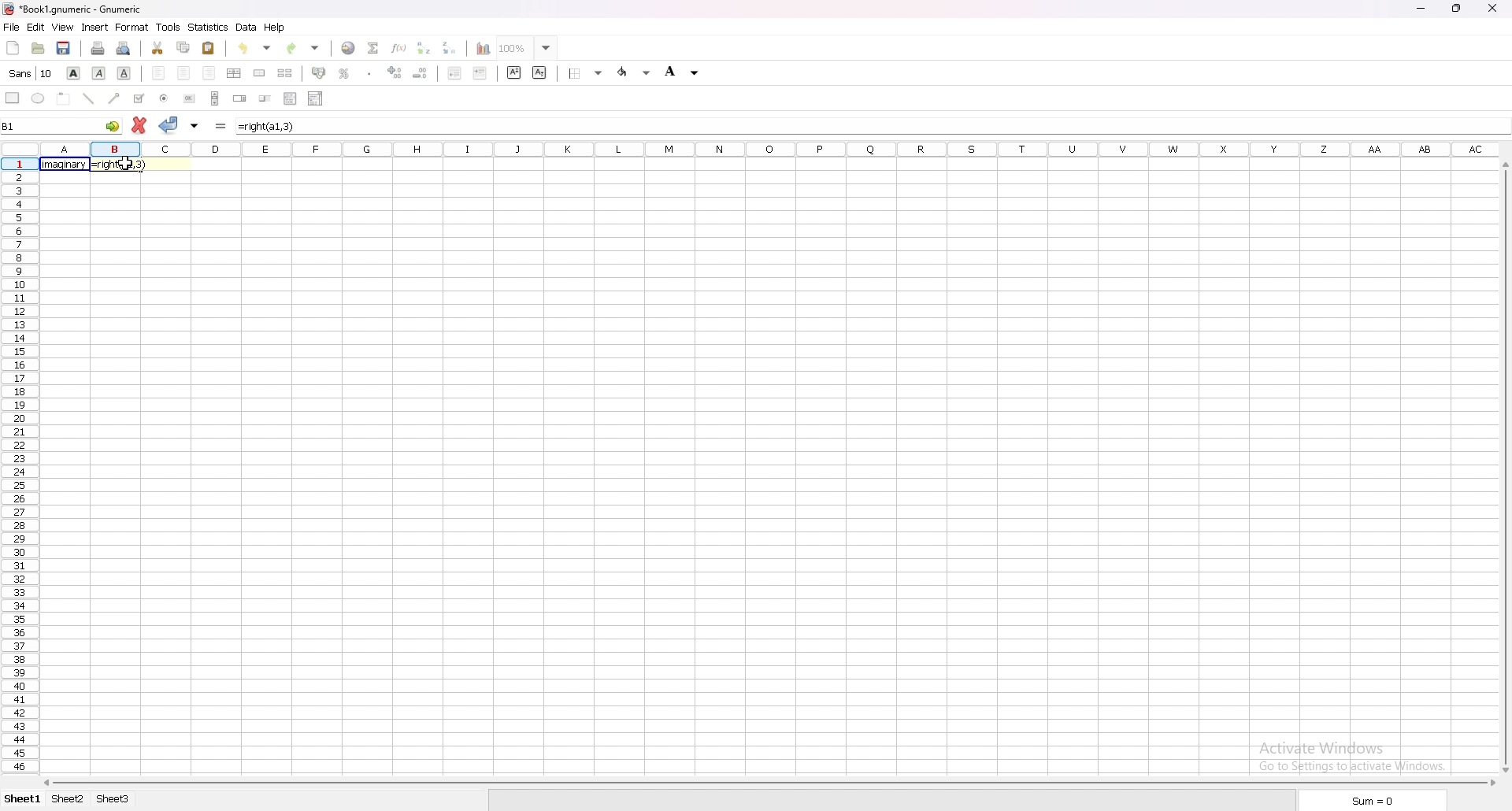  What do you see at coordinates (194, 126) in the screenshot?
I see `accept changes in all cells` at bounding box center [194, 126].